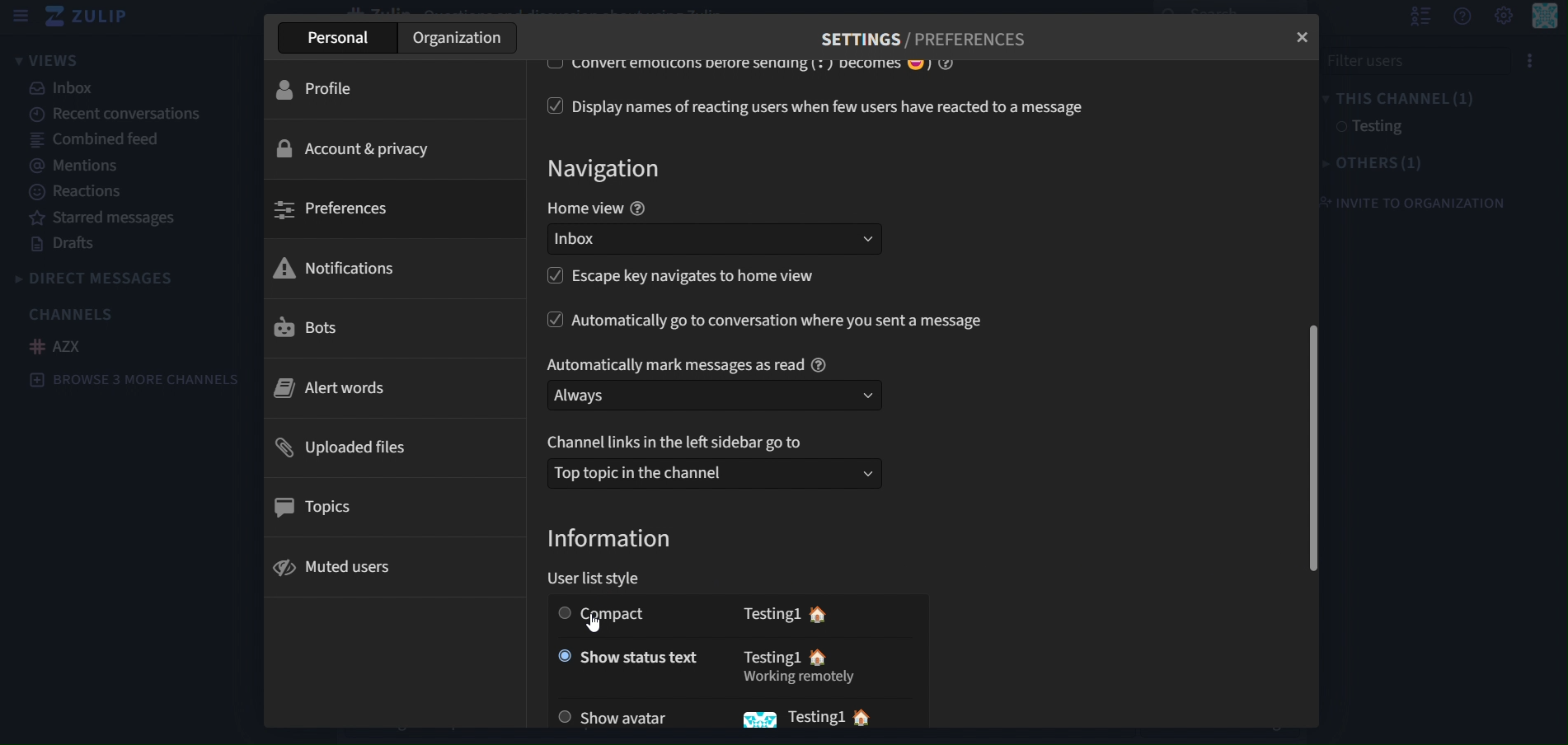 Image resolution: width=1568 pixels, height=745 pixels. What do you see at coordinates (1385, 127) in the screenshot?
I see `testing1` at bounding box center [1385, 127].